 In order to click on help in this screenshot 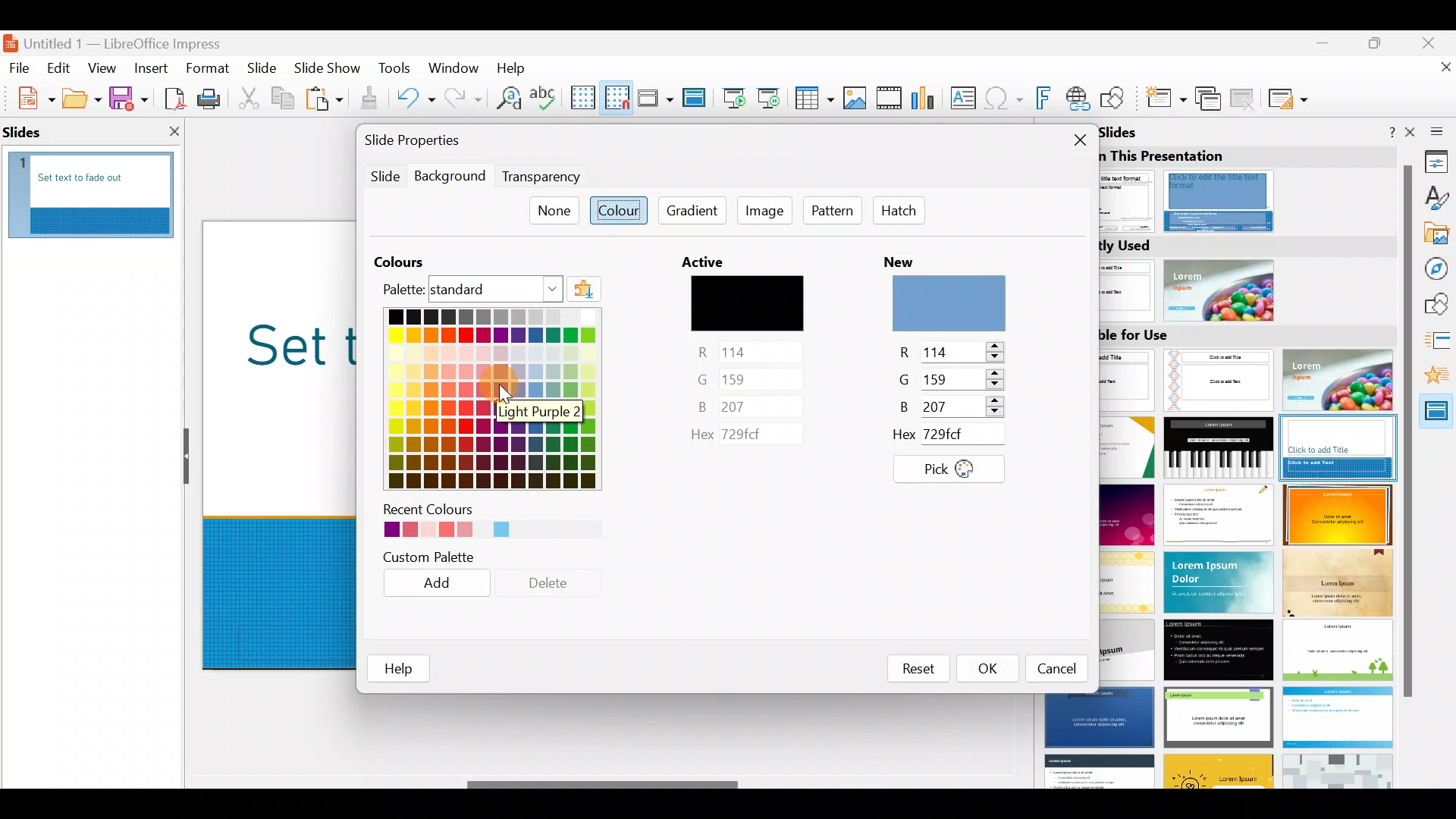, I will do `click(400, 667)`.